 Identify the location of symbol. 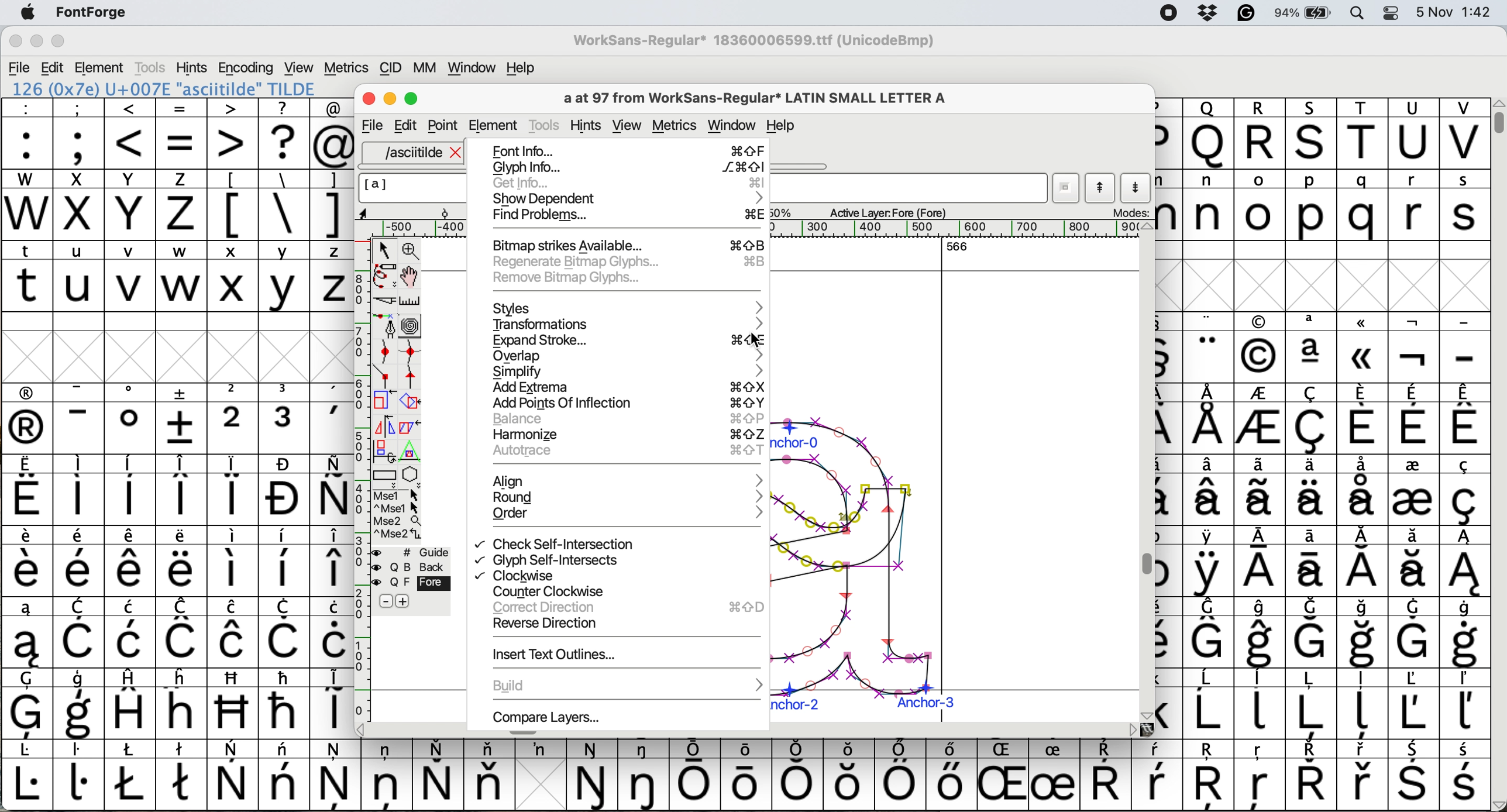
(1210, 419).